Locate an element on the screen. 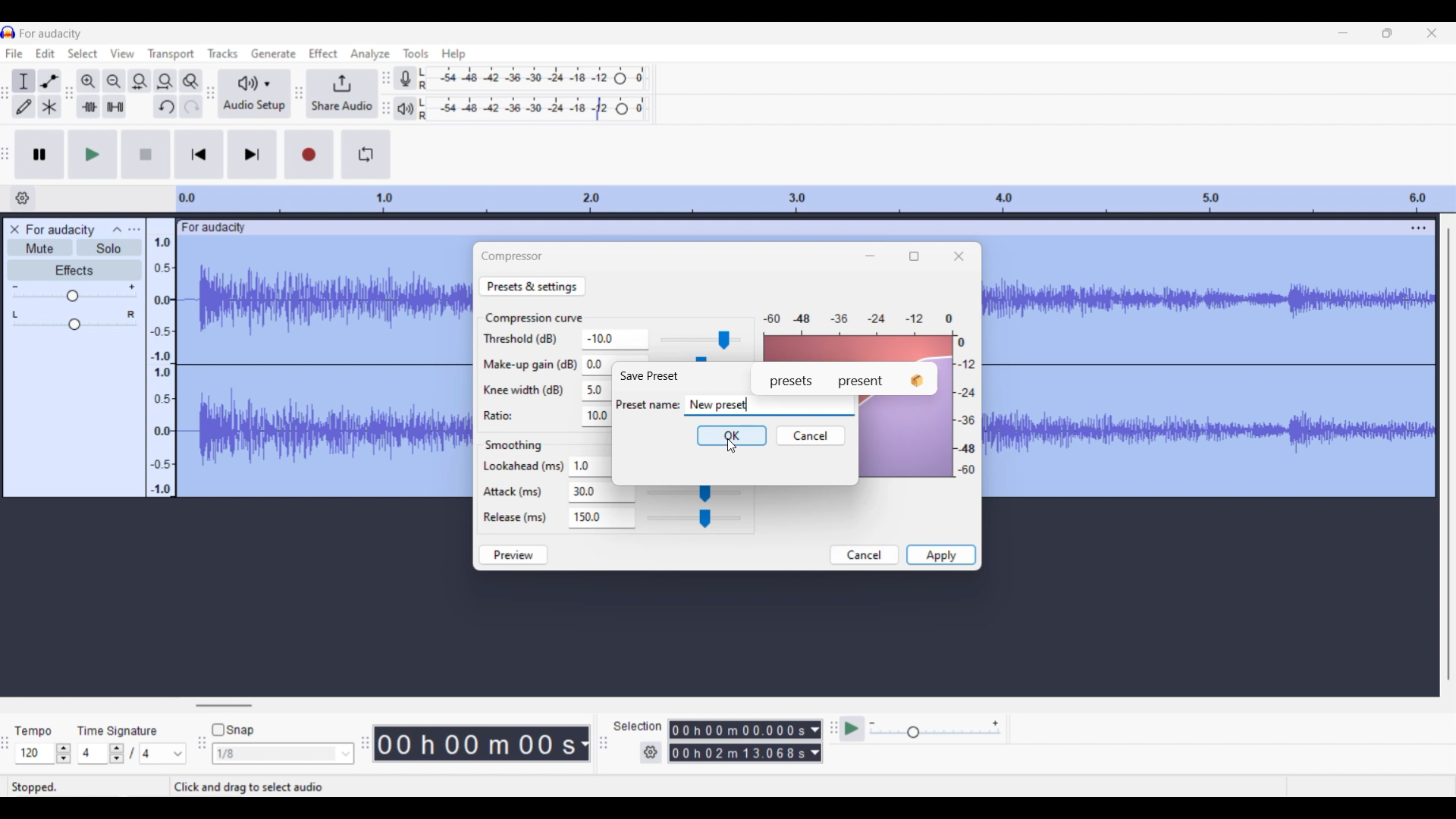 The image size is (1456, 819). Stopped. Click and drag to select audio is located at coordinates (187, 787).